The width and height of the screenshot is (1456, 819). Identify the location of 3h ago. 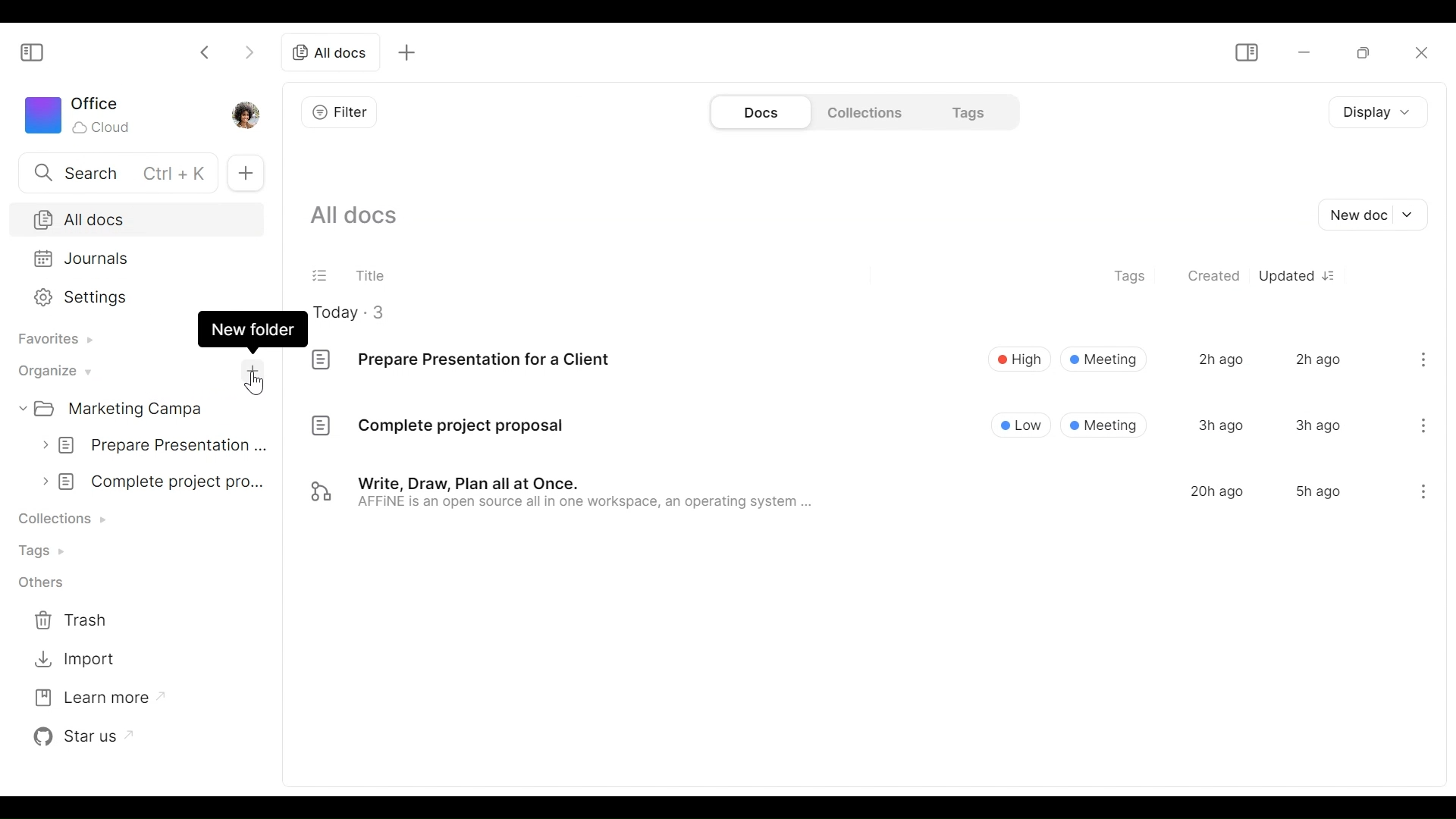
(1317, 425).